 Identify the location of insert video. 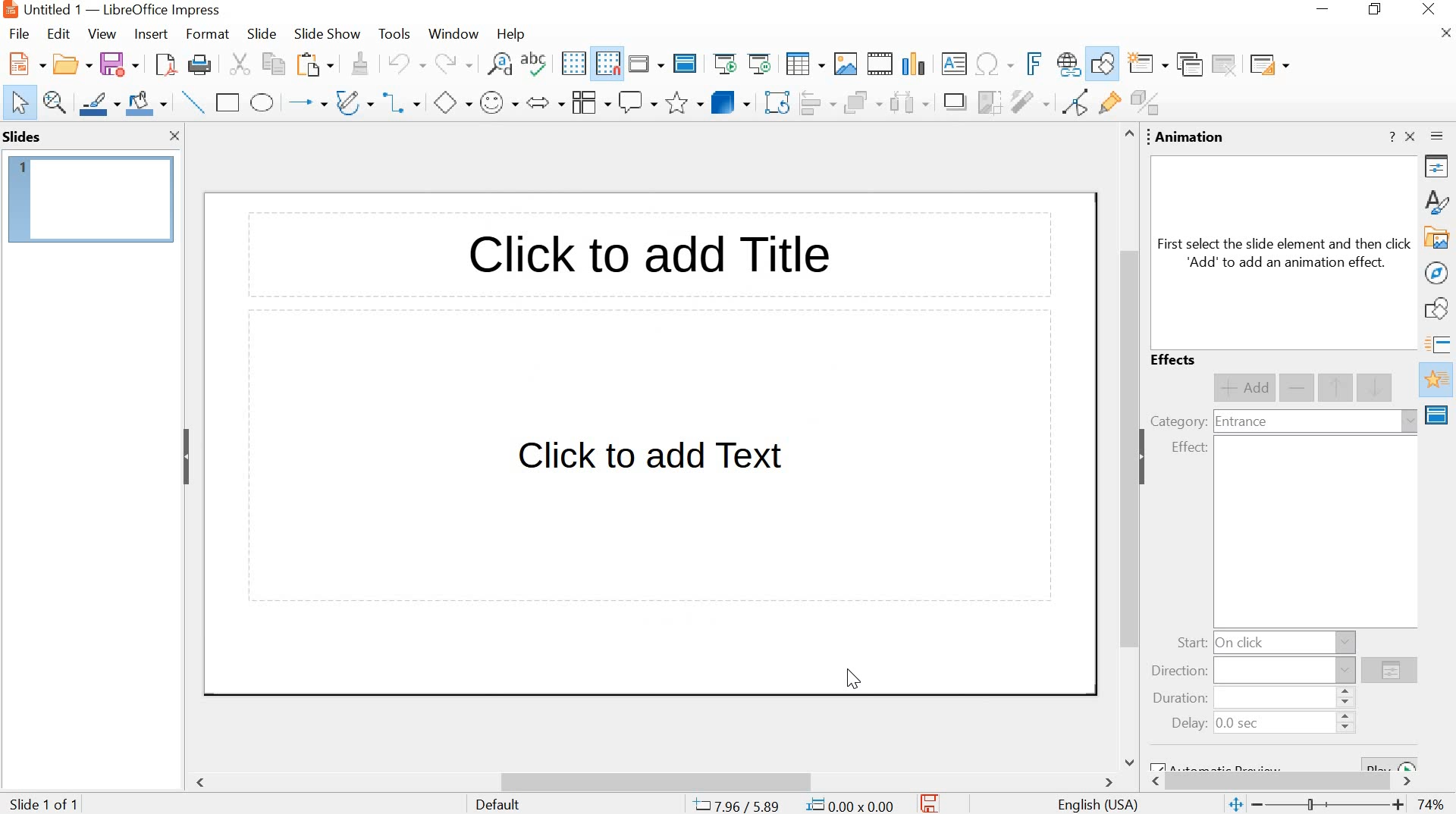
(880, 64).